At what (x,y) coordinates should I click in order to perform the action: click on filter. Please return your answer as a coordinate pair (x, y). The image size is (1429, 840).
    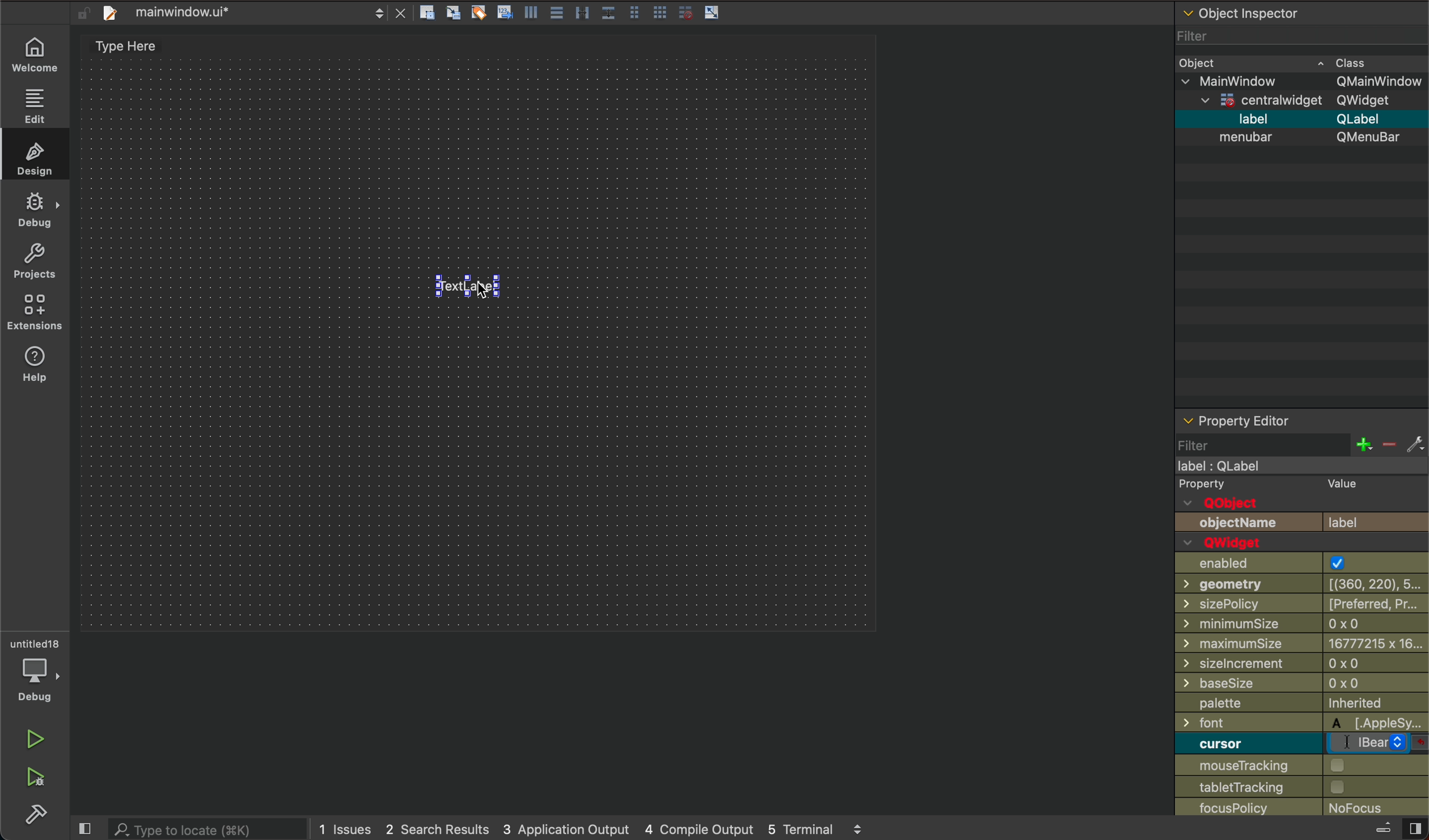
    Looking at the image, I should click on (1214, 443).